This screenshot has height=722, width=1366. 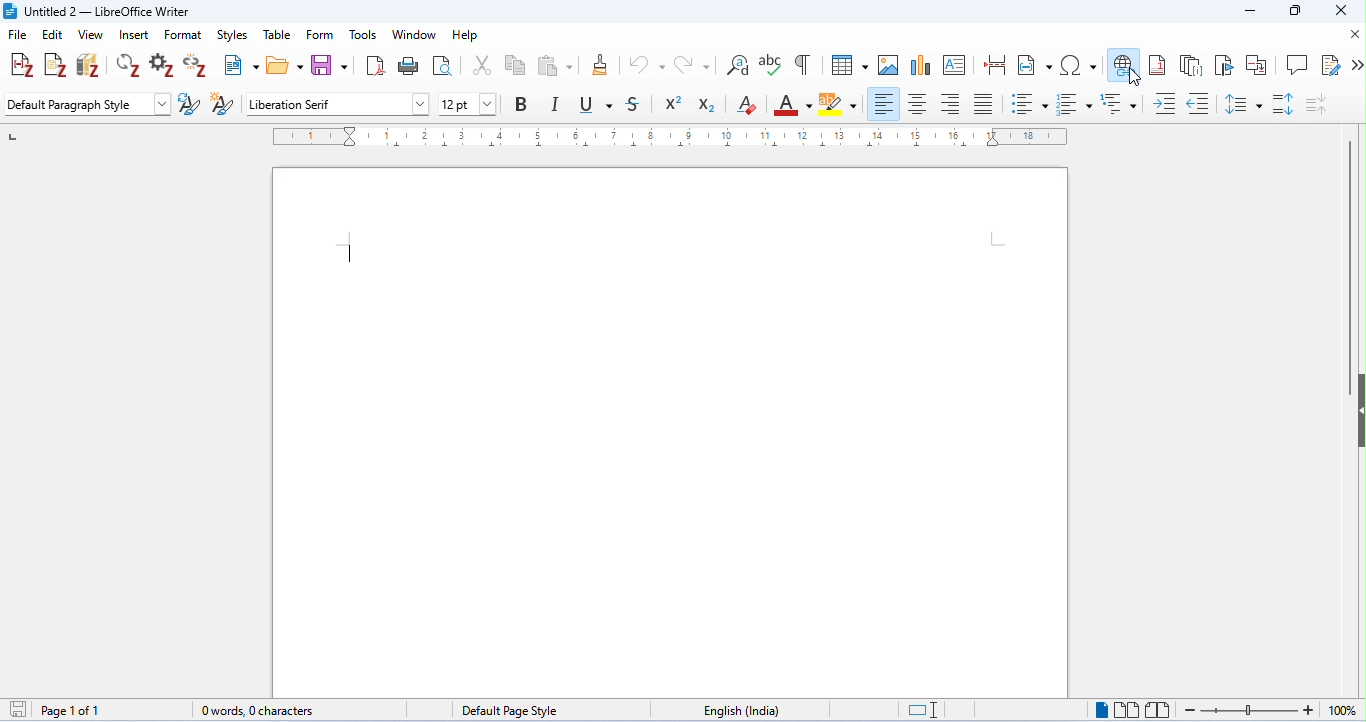 I want to click on form, so click(x=321, y=34).